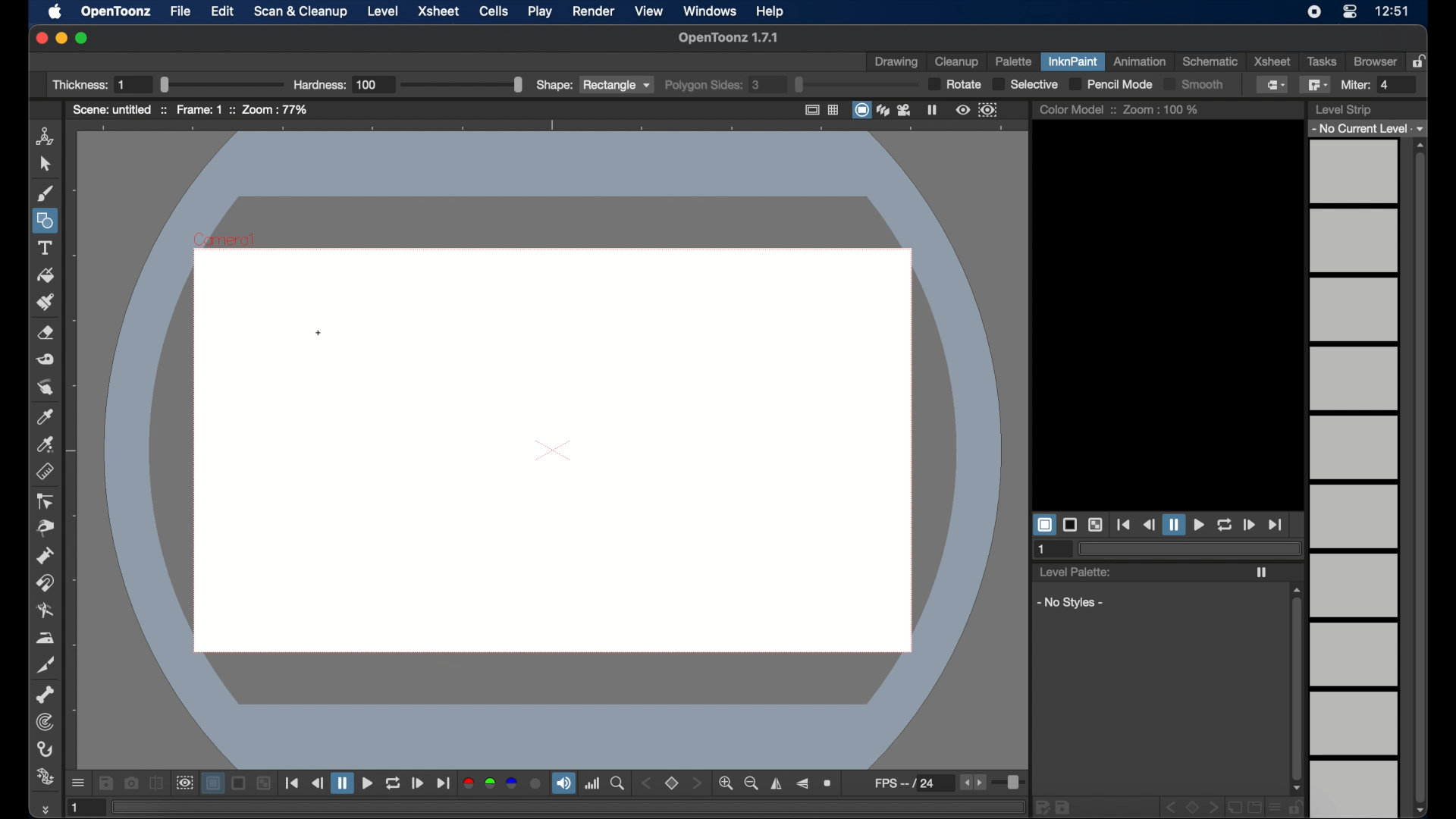 This screenshot has height=819, width=1456. Describe the element at coordinates (884, 111) in the screenshot. I see `3dview` at that location.